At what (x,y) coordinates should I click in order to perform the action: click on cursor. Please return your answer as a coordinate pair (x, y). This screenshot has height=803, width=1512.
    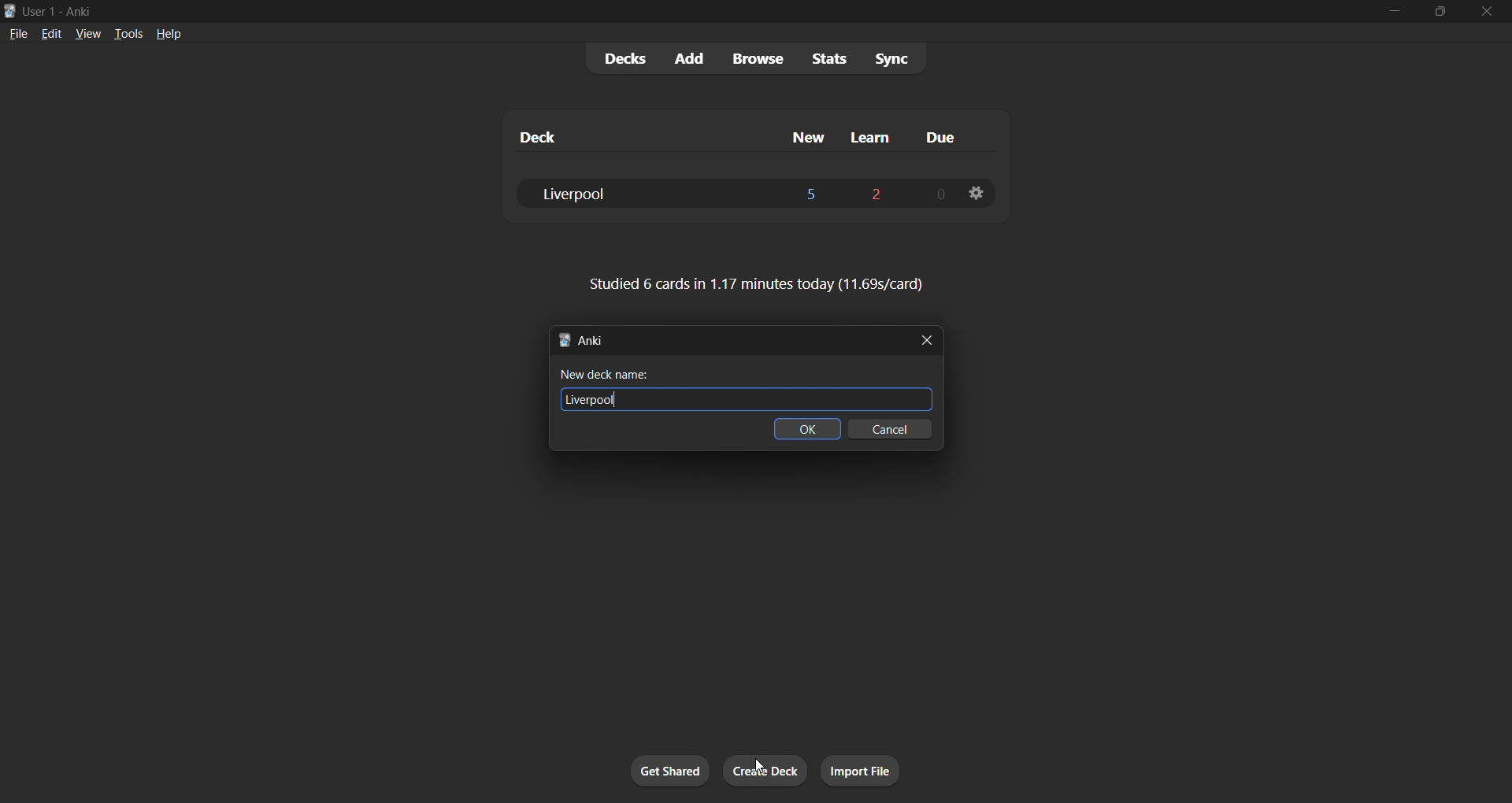
    Looking at the image, I should click on (758, 764).